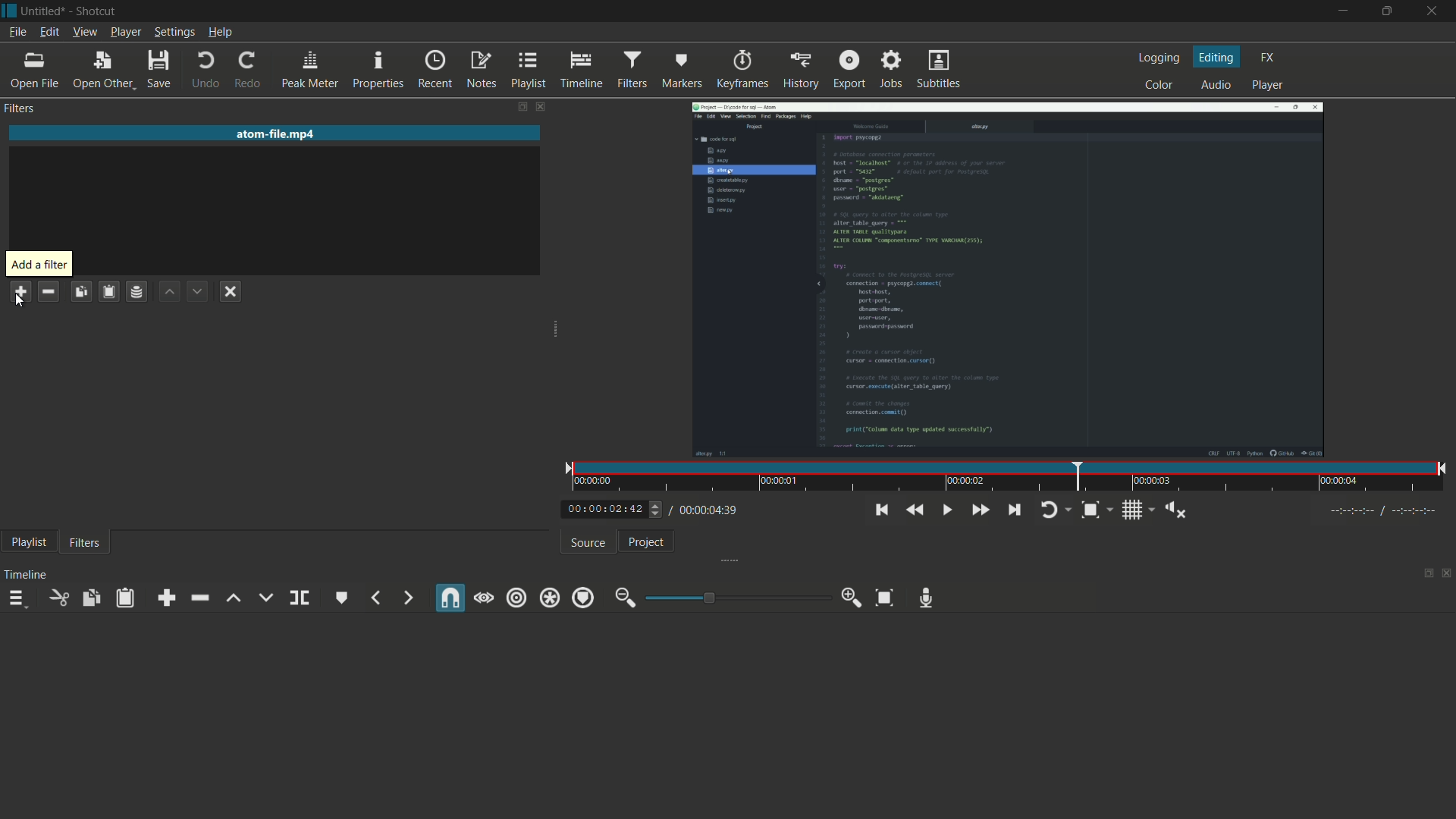 Image resolution: width=1456 pixels, height=819 pixels. Describe the element at coordinates (680, 71) in the screenshot. I see `markers` at that location.